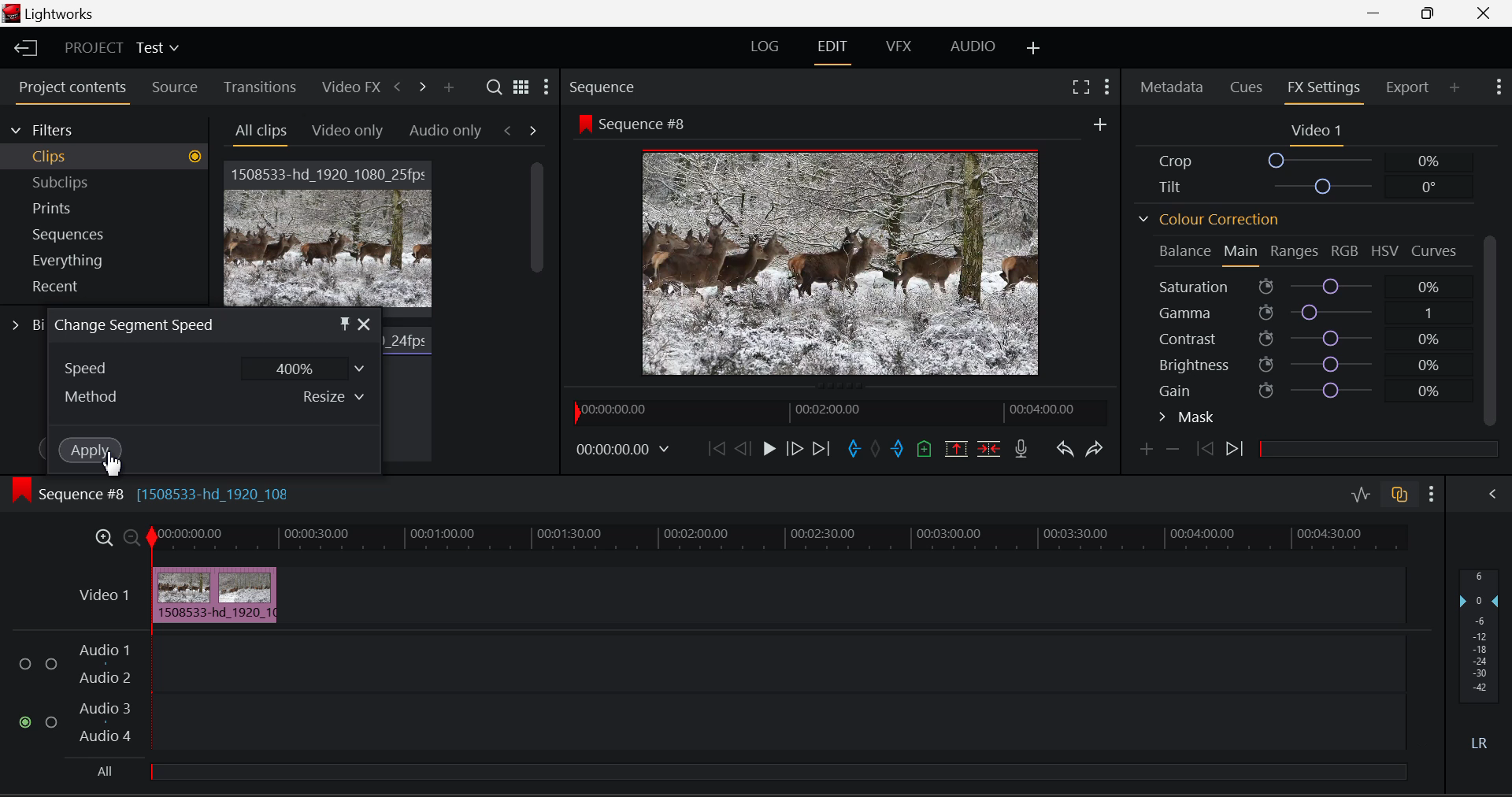  Describe the element at coordinates (115, 157) in the screenshot. I see `Clips filter Selected` at that location.